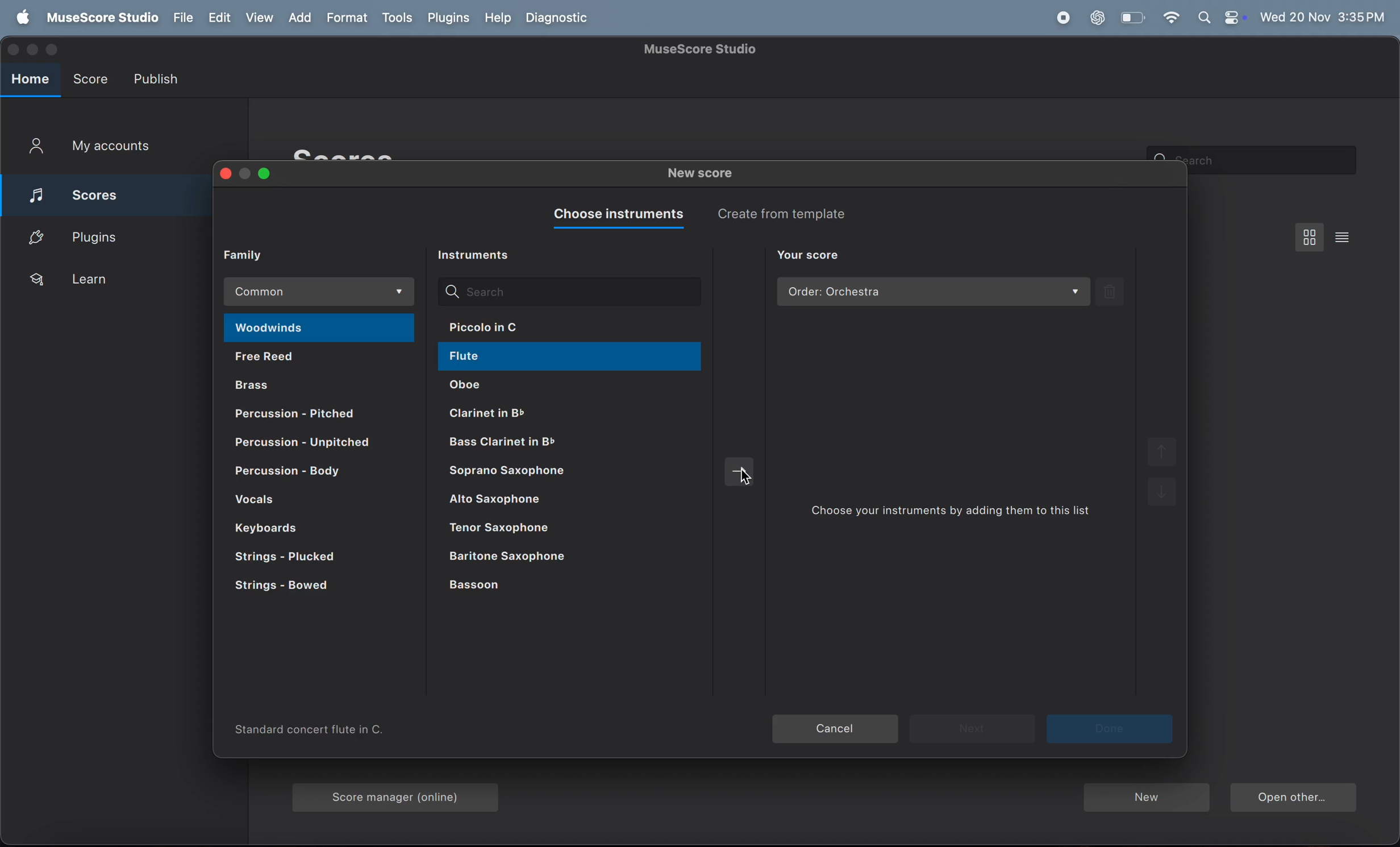 The height and width of the screenshot is (847, 1400). I want to click on chat gpt, so click(1098, 18).